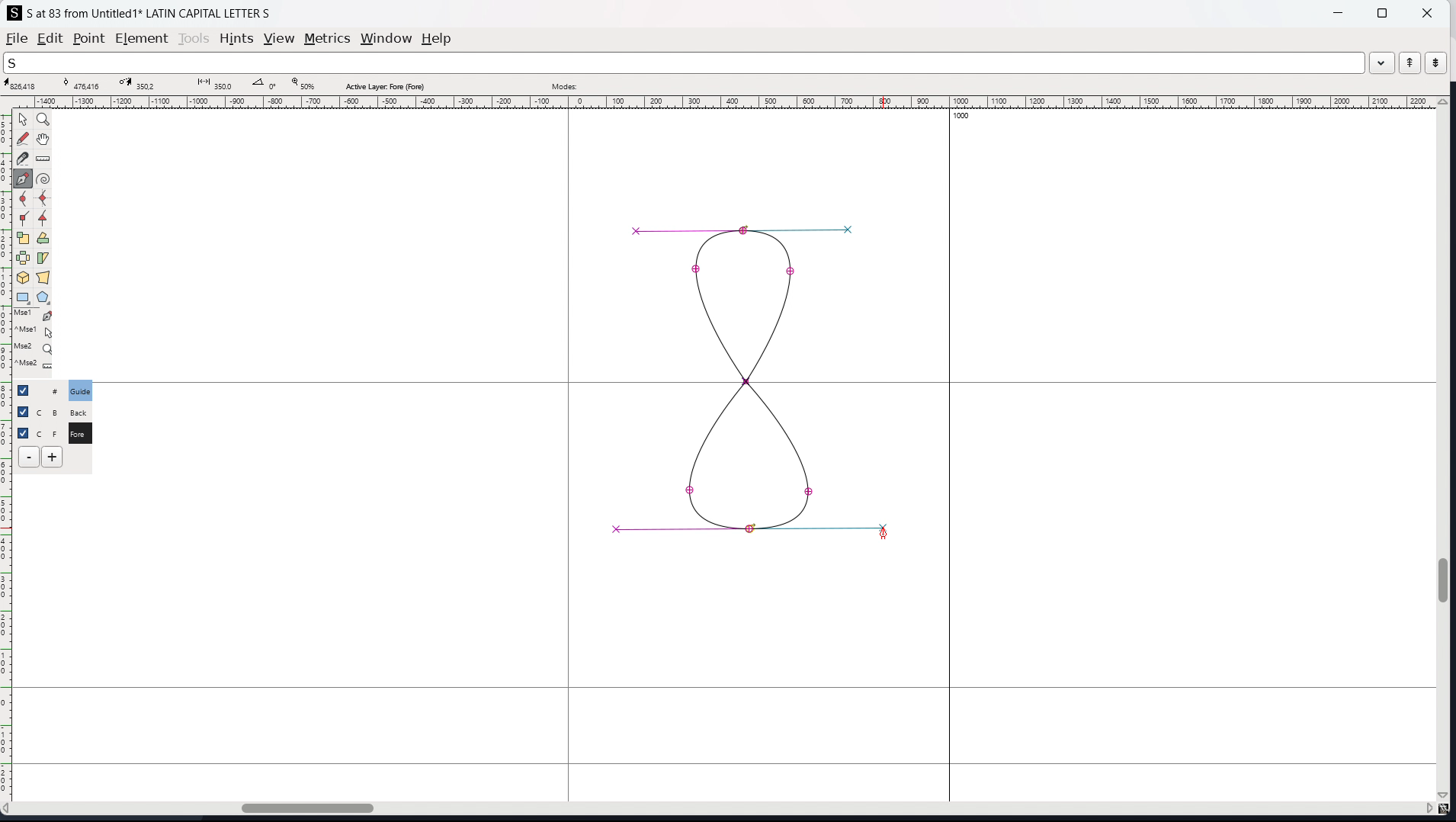 The width and height of the screenshot is (1456, 822). What do you see at coordinates (43, 239) in the screenshot?
I see `rotate selection` at bounding box center [43, 239].